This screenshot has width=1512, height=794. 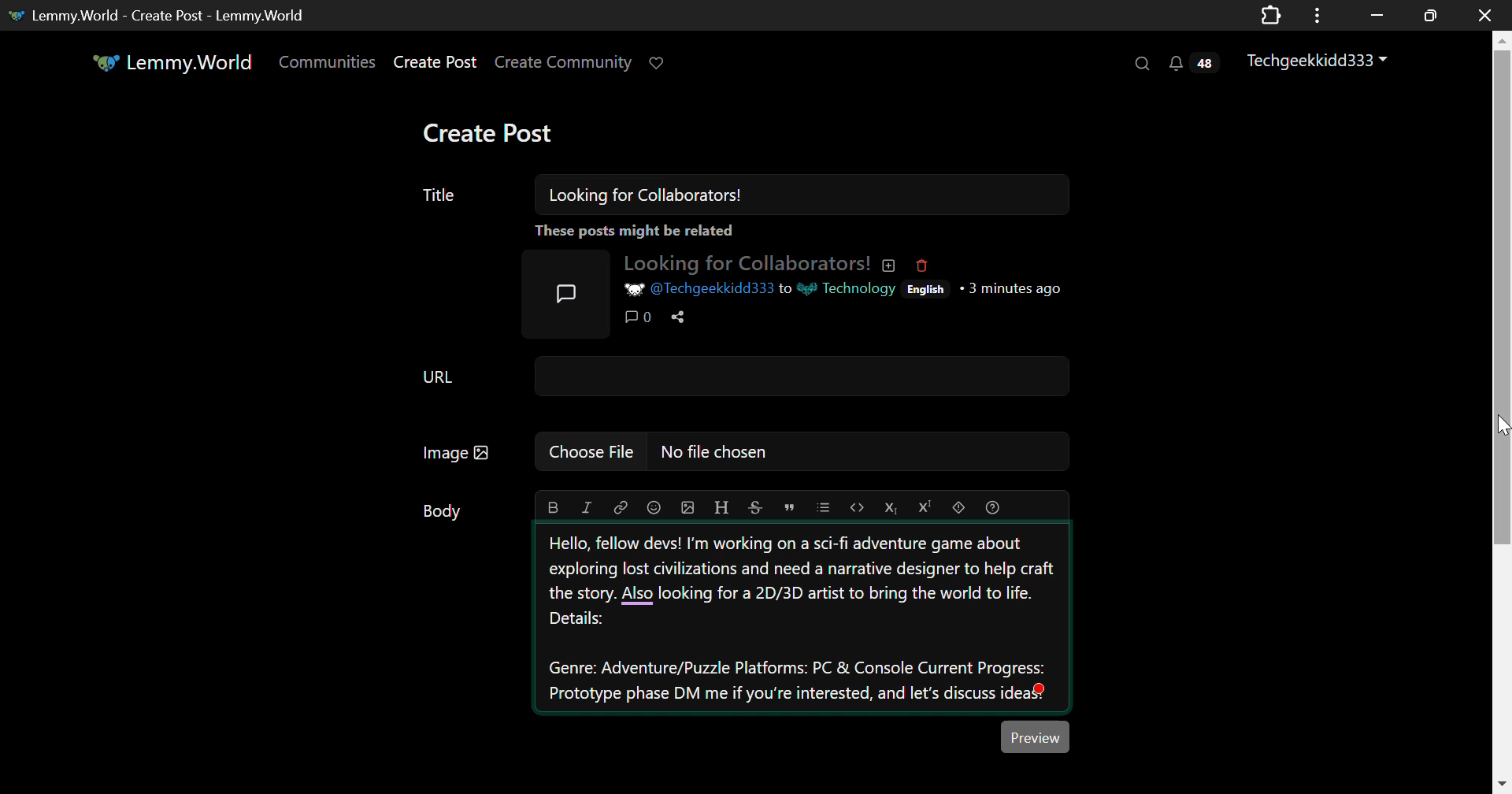 What do you see at coordinates (753, 508) in the screenshot?
I see `strikethrough` at bounding box center [753, 508].